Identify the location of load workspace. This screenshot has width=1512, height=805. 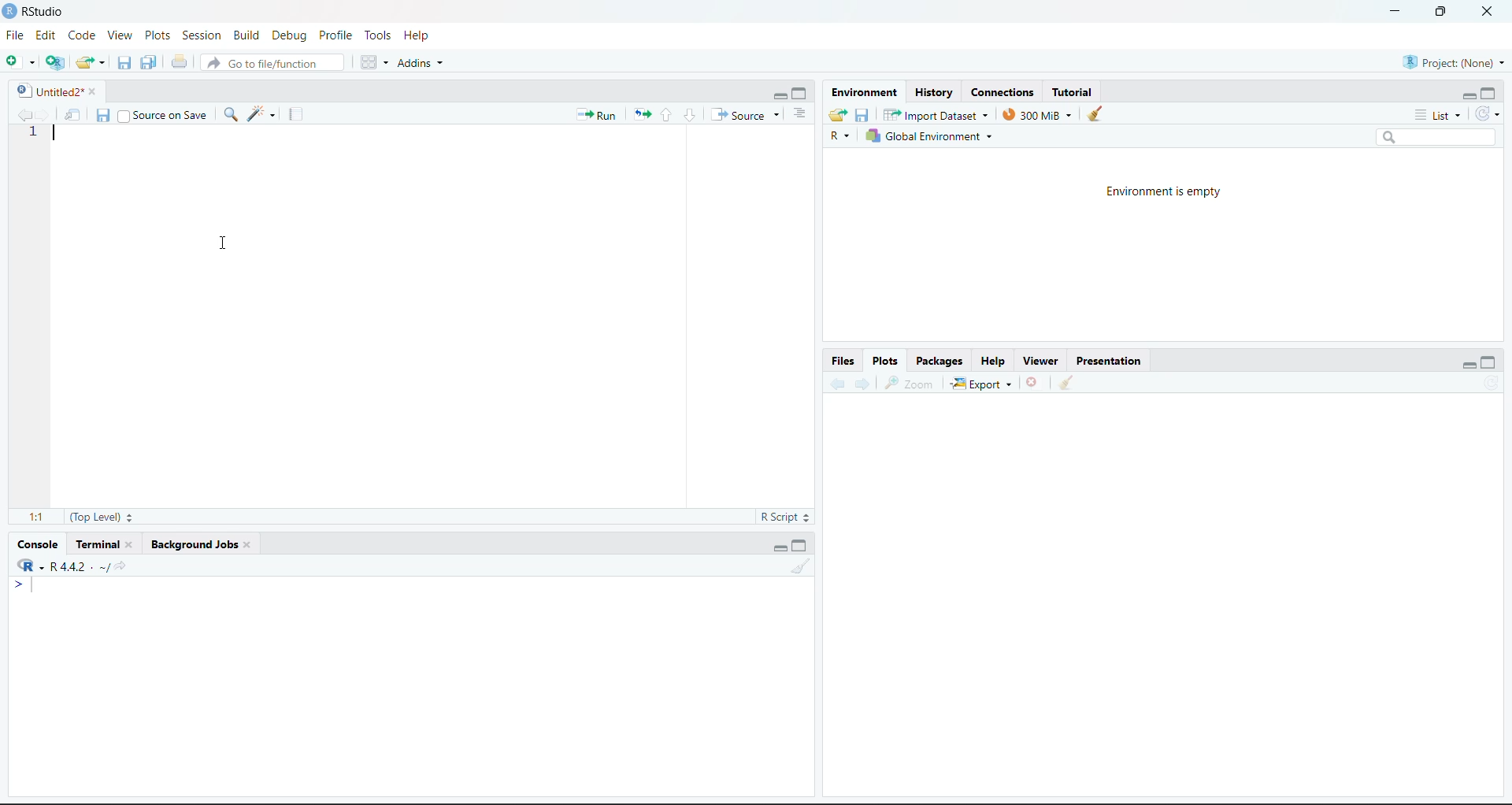
(838, 114).